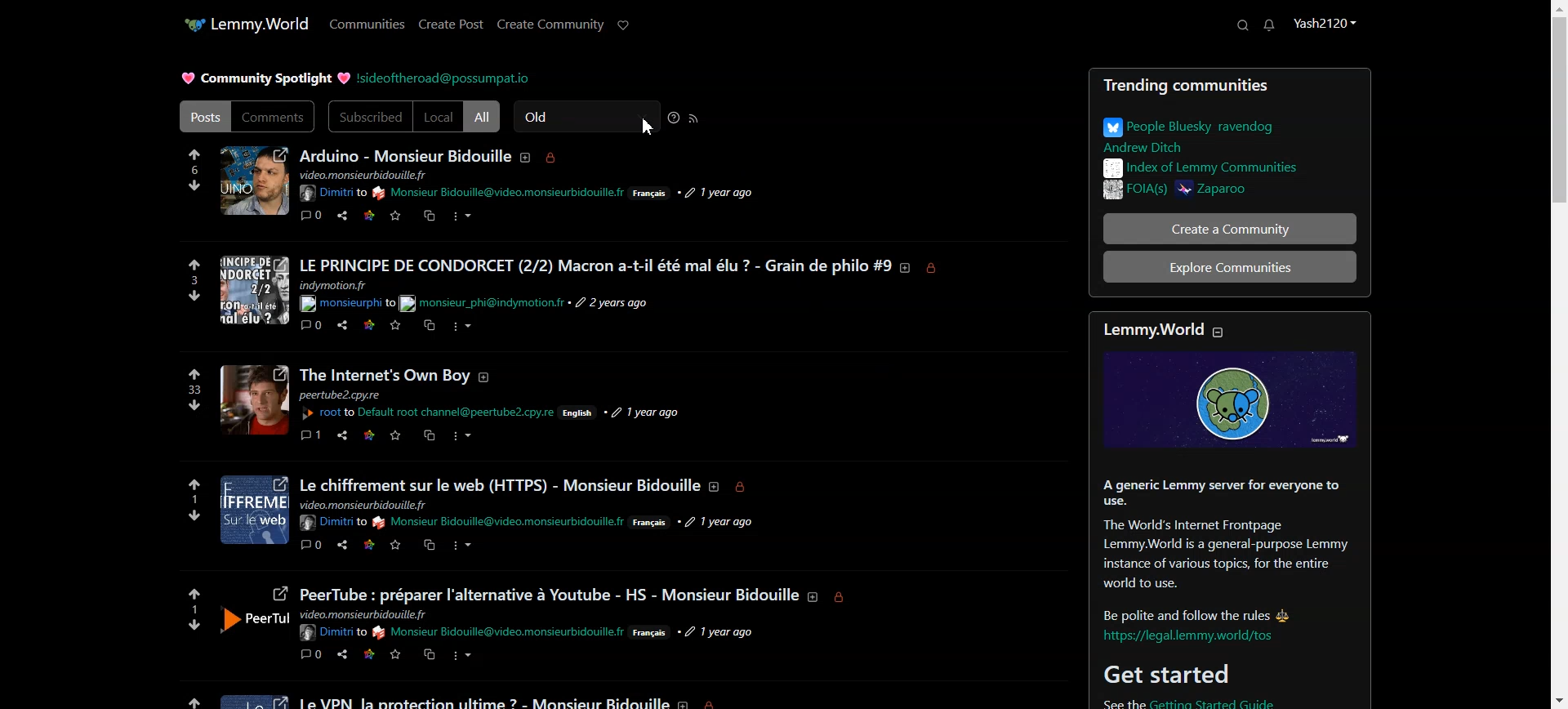  I want to click on link, so click(372, 435).